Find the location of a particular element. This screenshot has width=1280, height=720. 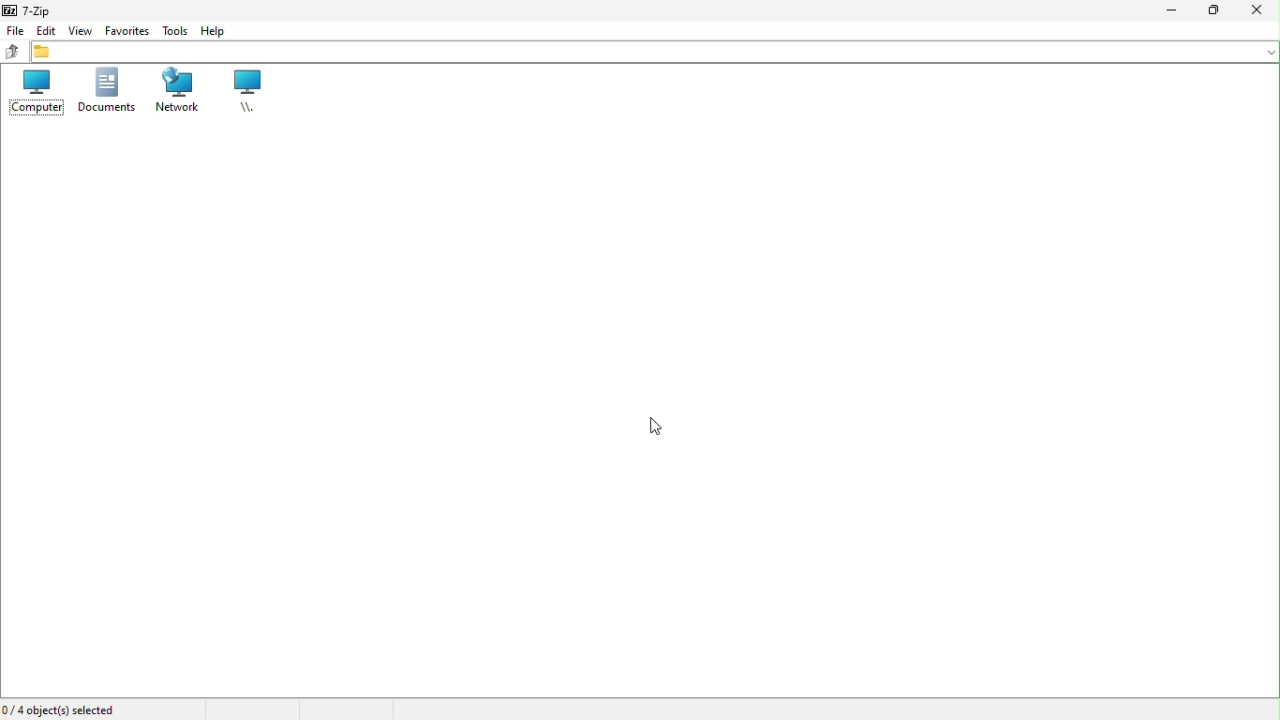

Close is located at coordinates (1261, 9).